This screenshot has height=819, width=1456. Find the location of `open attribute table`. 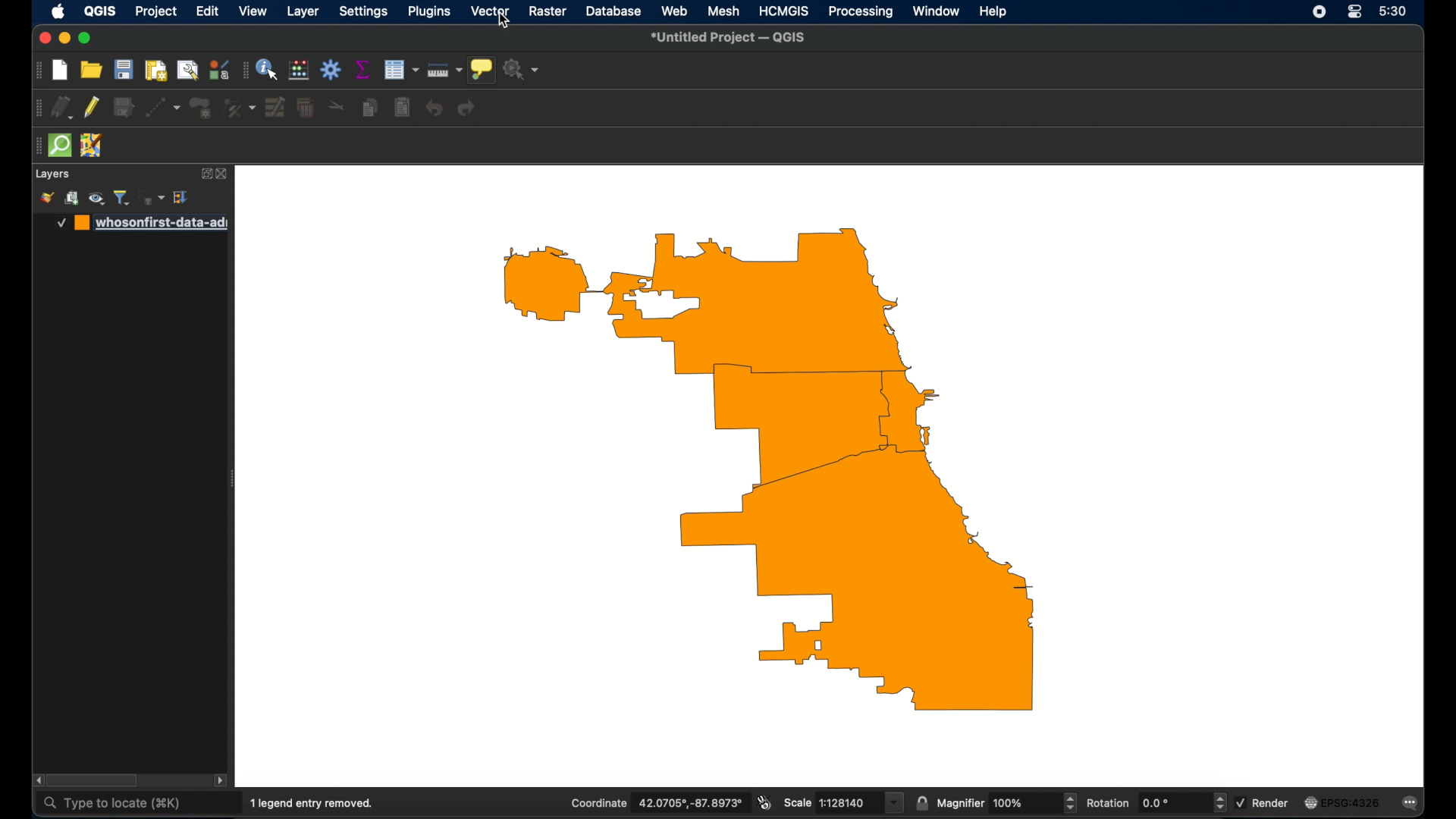

open attribute table is located at coordinates (400, 70).